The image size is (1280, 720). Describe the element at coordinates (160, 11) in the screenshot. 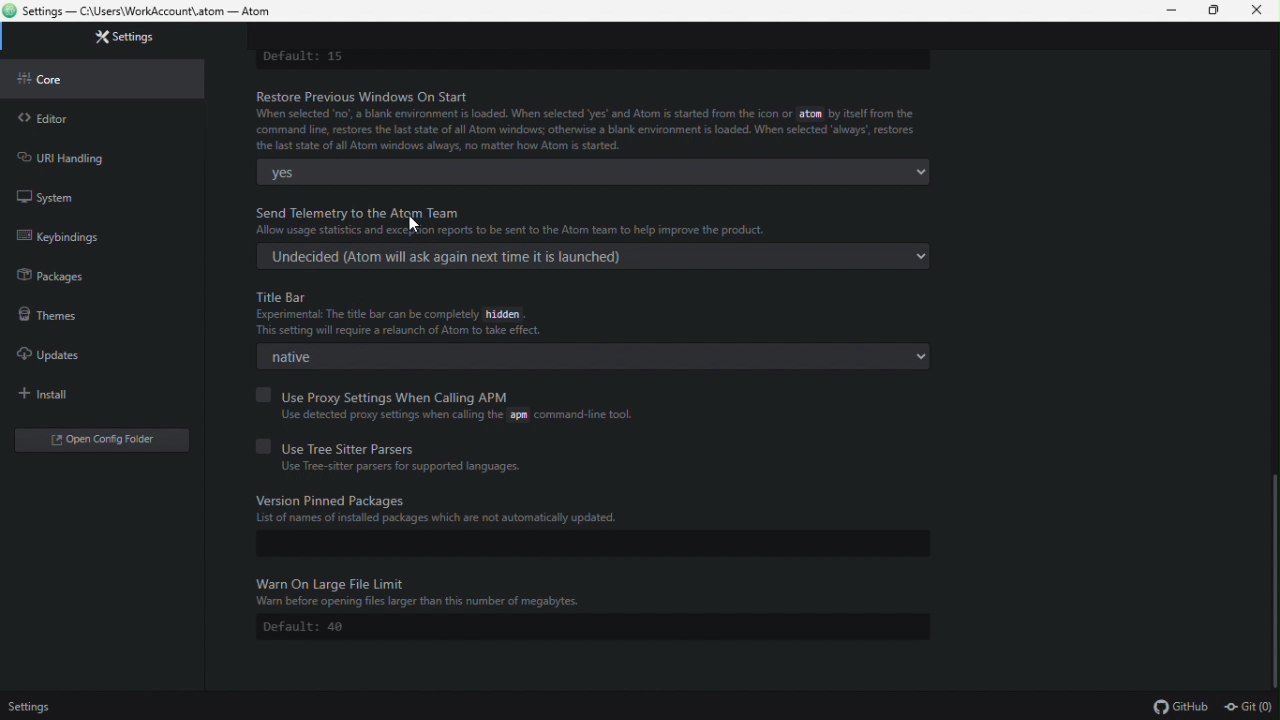

I see `Settings - C:\users\work\account\atom - Atom` at that location.